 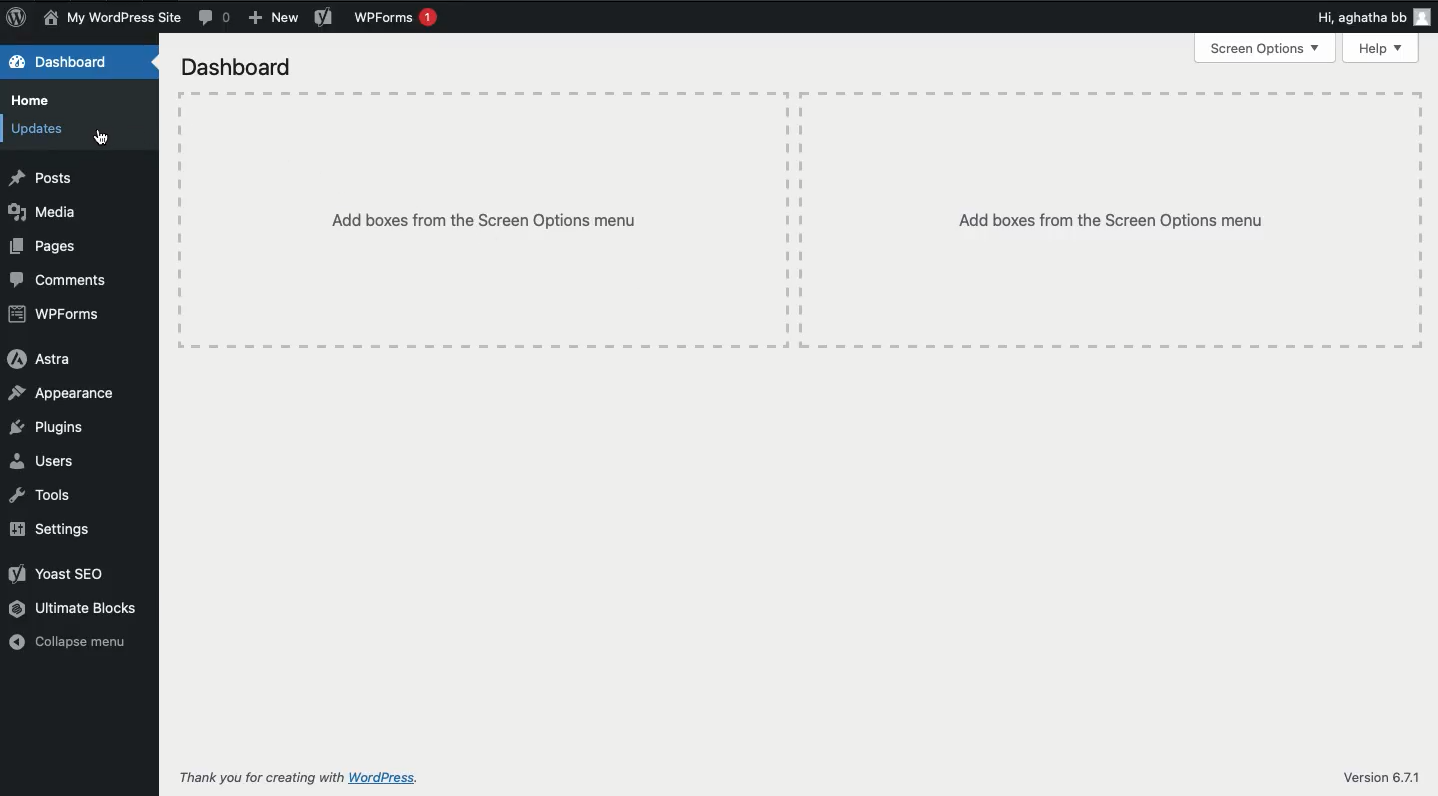 What do you see at coordinates (47, 247) in the screenshot?
I see `Pages` at bounding box center [47, 247].